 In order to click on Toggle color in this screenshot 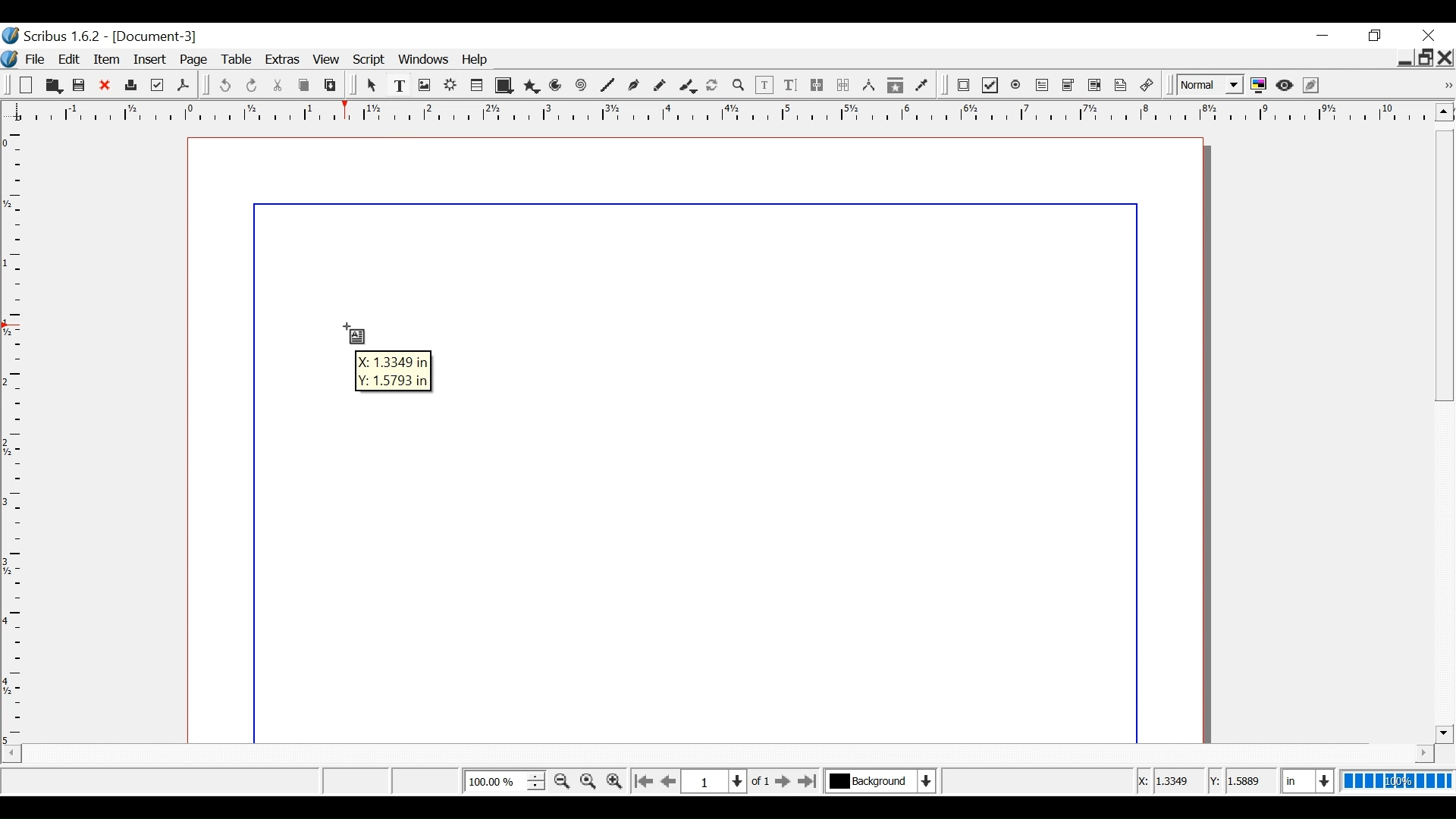, I will do `click(1260, 86)`.